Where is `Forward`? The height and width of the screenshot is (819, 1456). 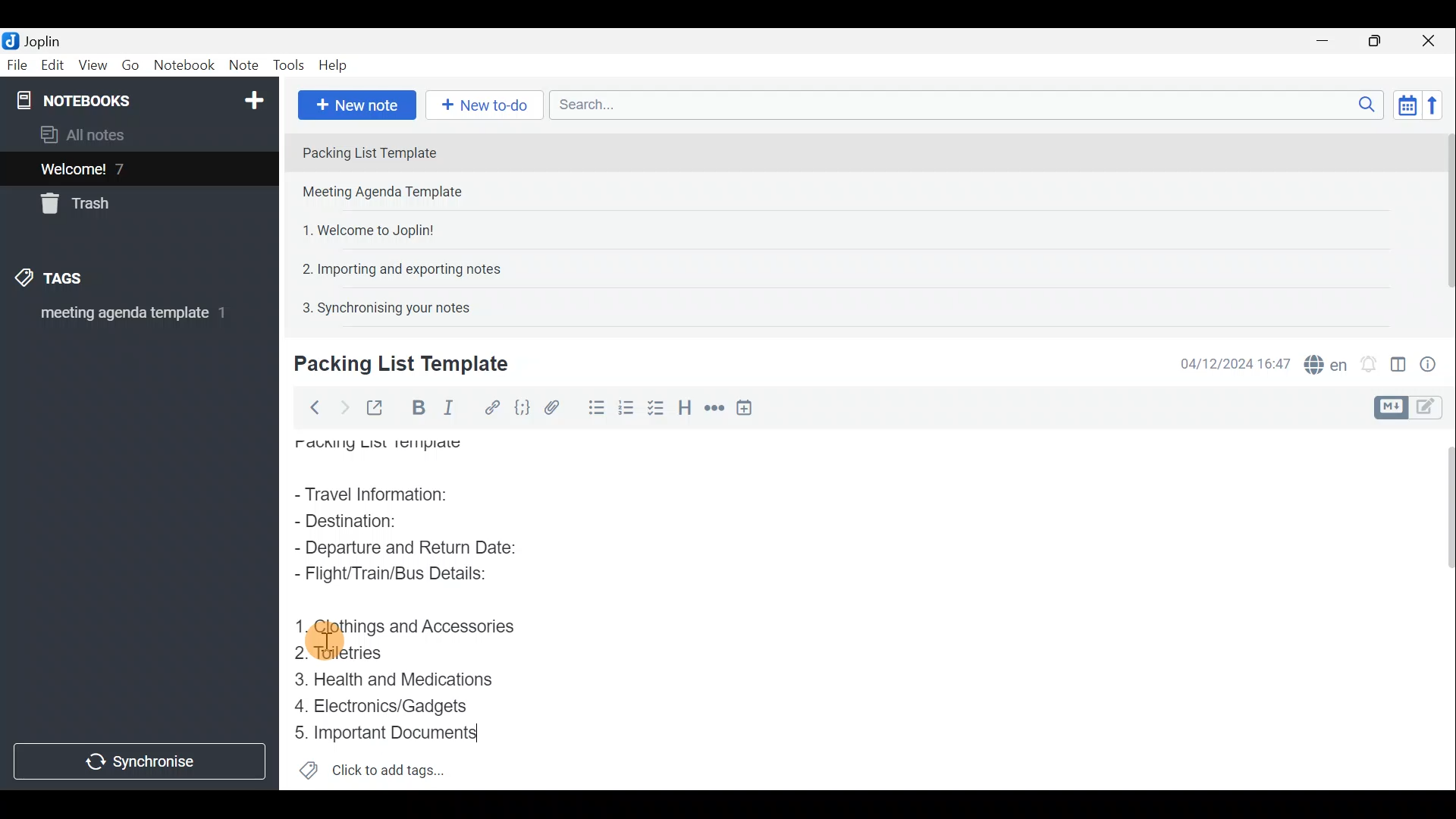
Forward is located at coordinates (341, 406).